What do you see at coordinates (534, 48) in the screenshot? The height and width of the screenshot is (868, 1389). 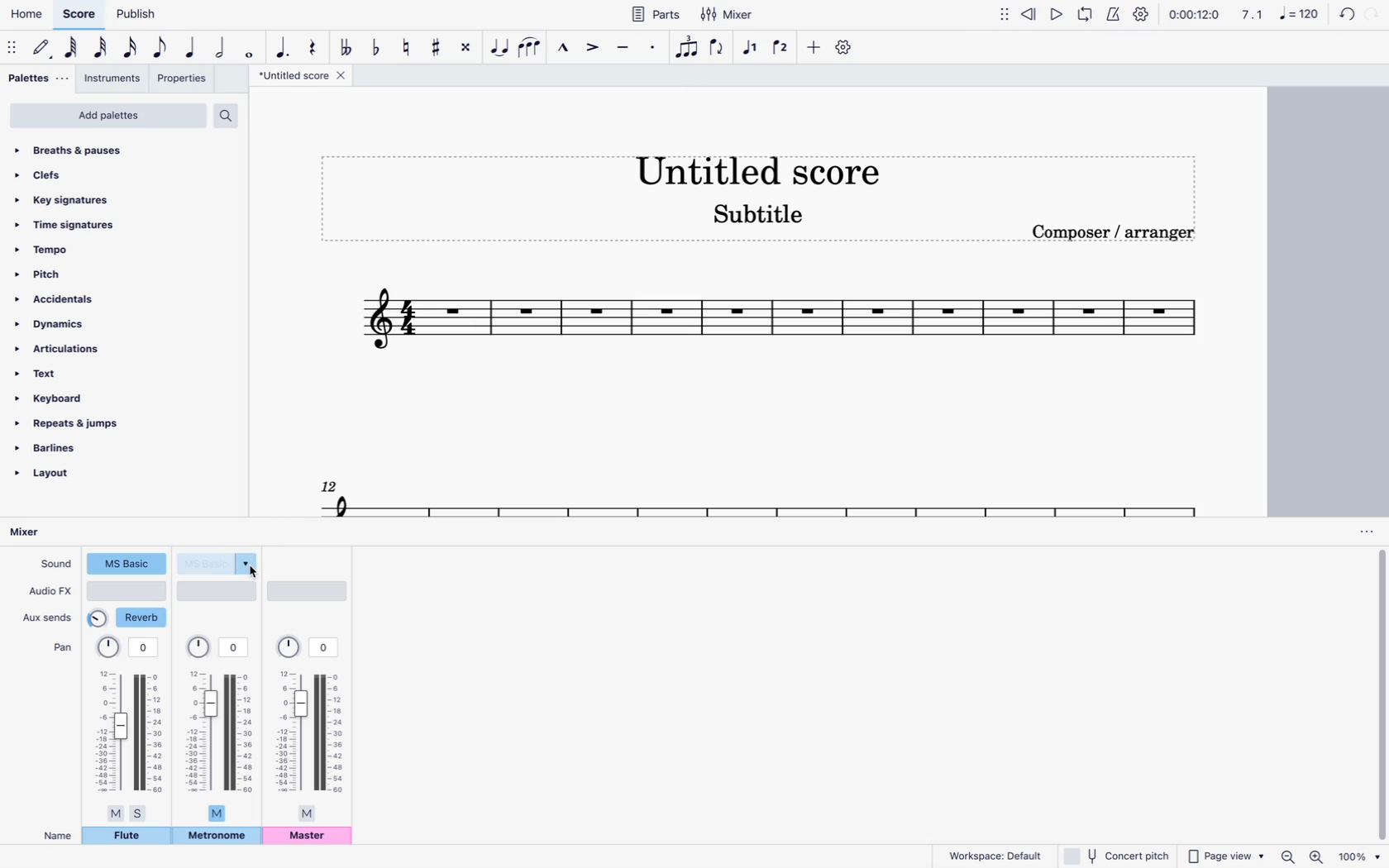 I see `slur` at bounding box center [534, 48].